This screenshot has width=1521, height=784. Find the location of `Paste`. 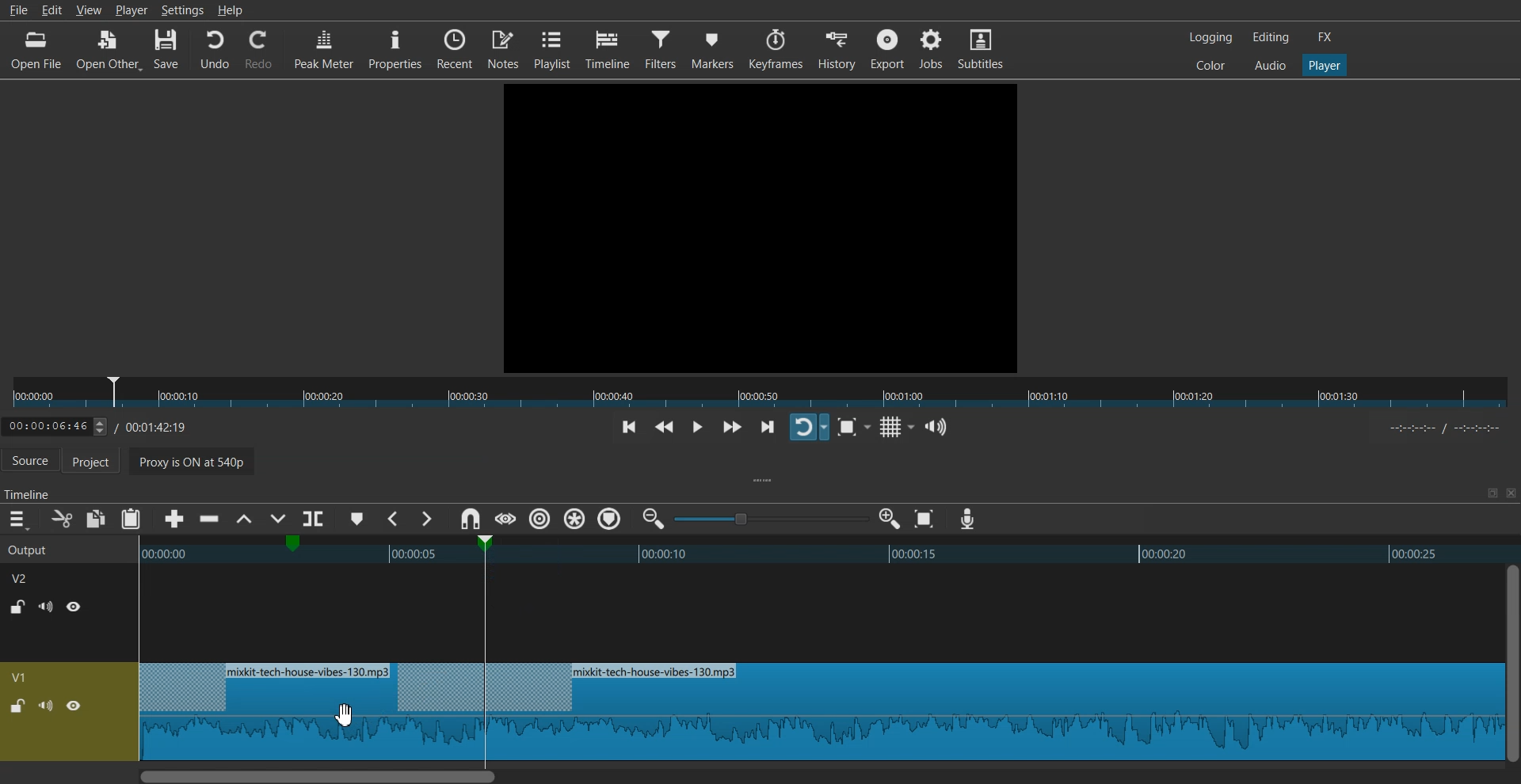

Paste is located at coordinates (131, 519).